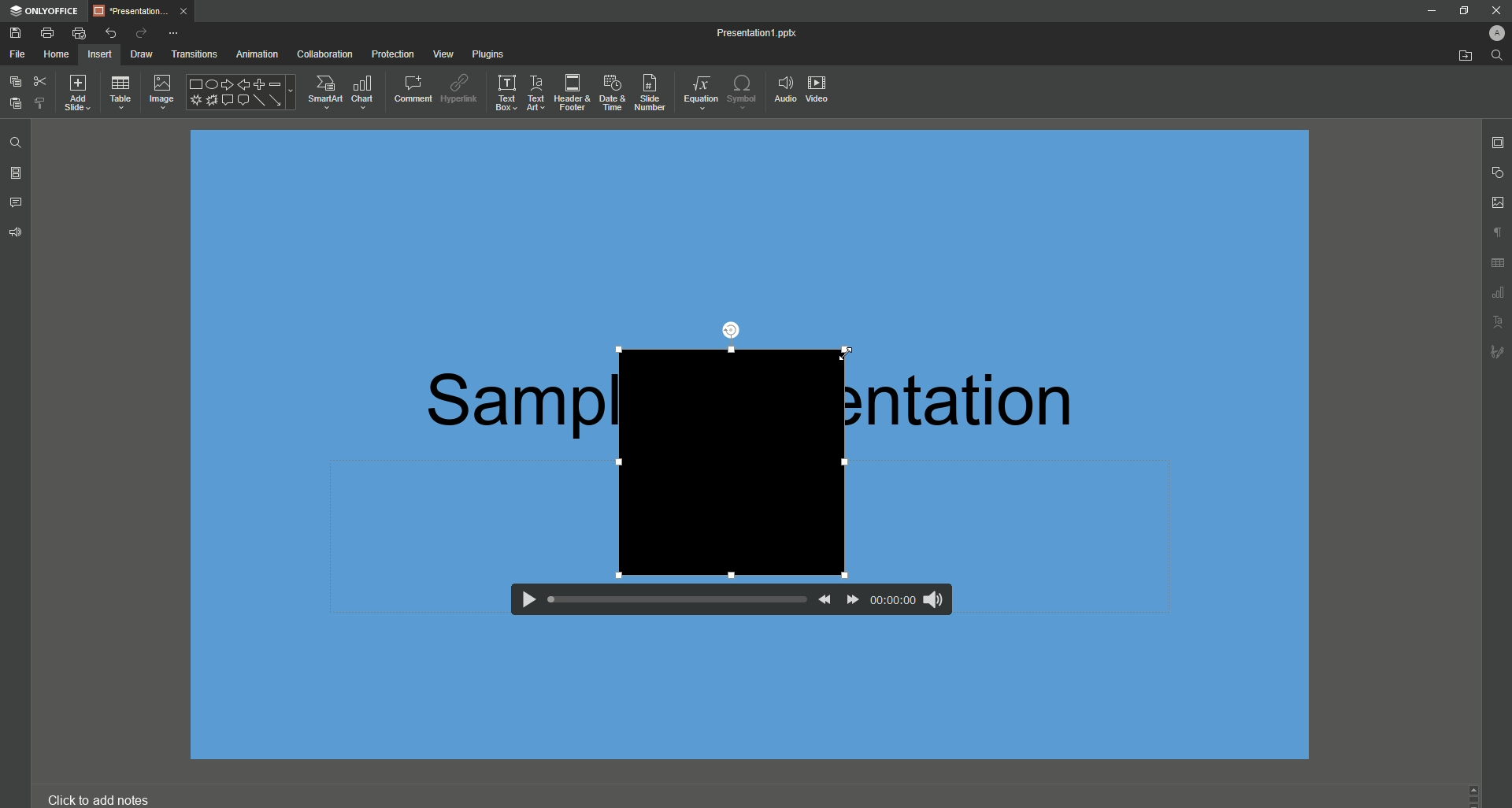 The width and height of the screenshot is (1512, 808). I want to click on Date and Time, so click(614, 94).